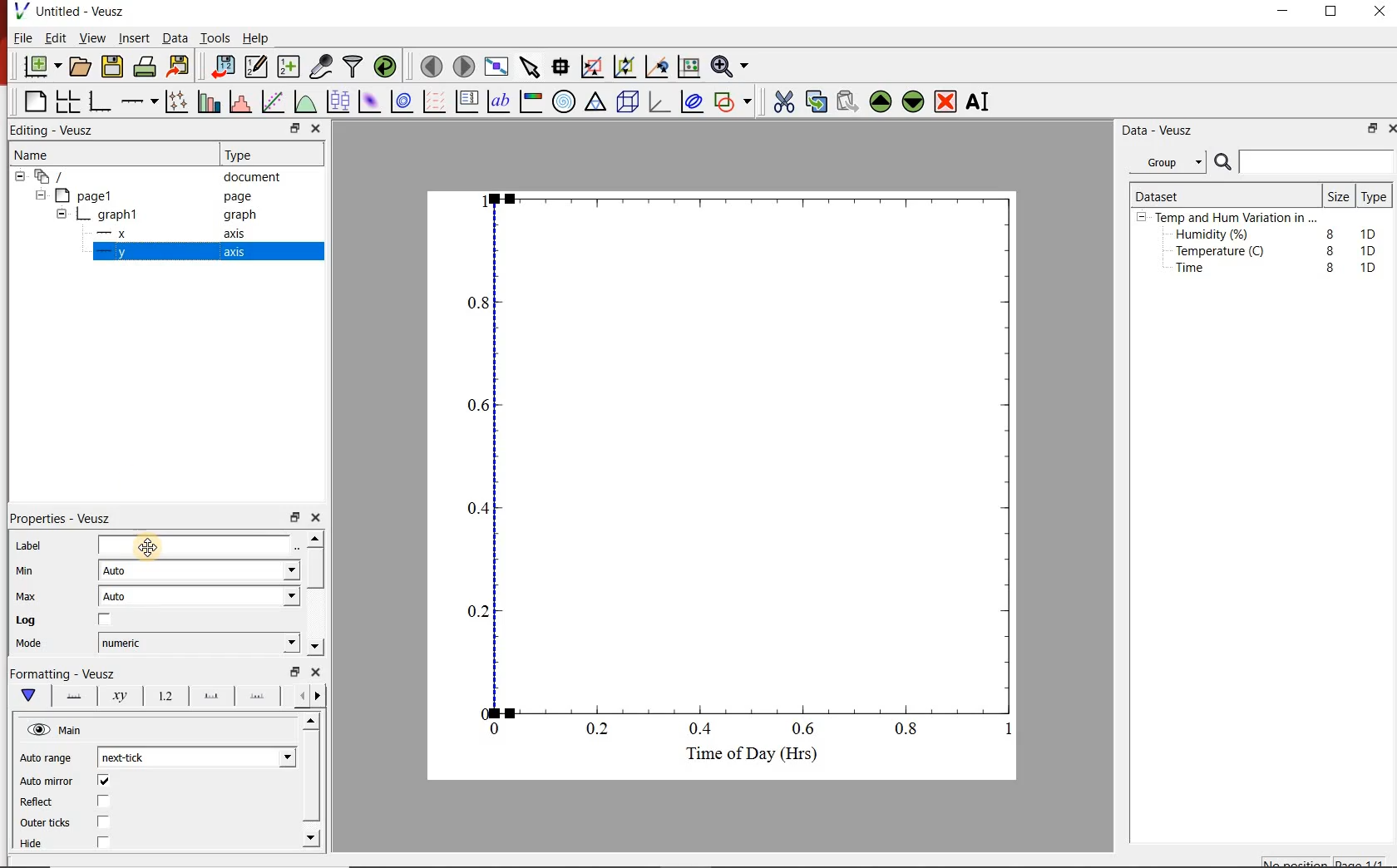 The height and width of the screenshot is (868, 1397). Describe the element at coordinates (1368, 267) in the screenshot. I see `1D` at that location.